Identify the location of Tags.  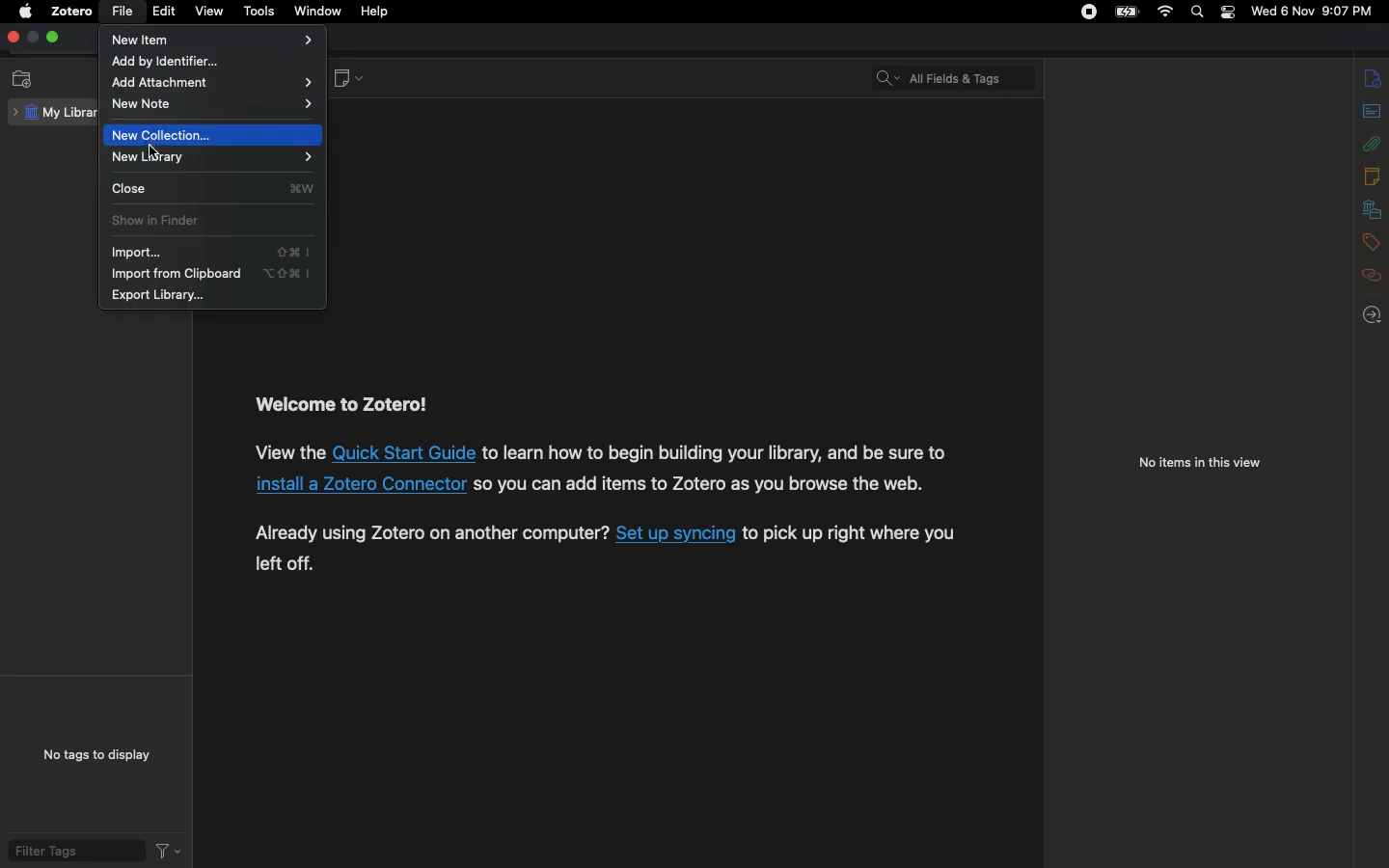
(1372, 240).